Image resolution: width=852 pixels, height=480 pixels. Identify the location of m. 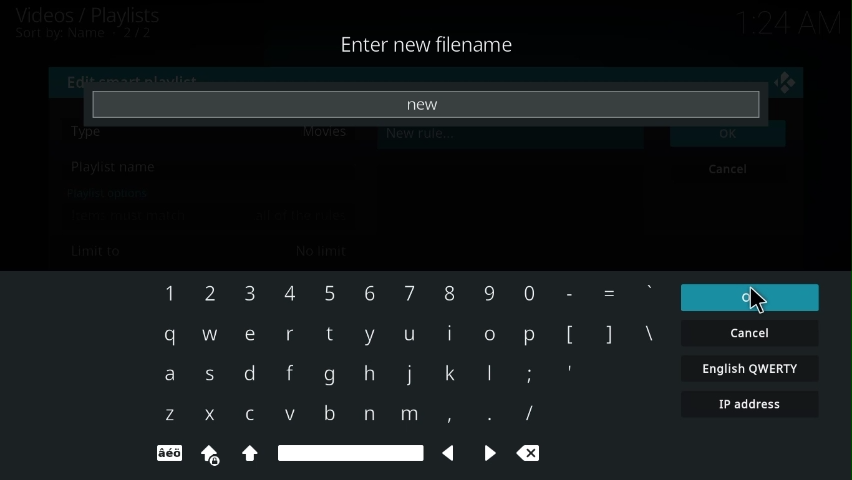
(406, 414).